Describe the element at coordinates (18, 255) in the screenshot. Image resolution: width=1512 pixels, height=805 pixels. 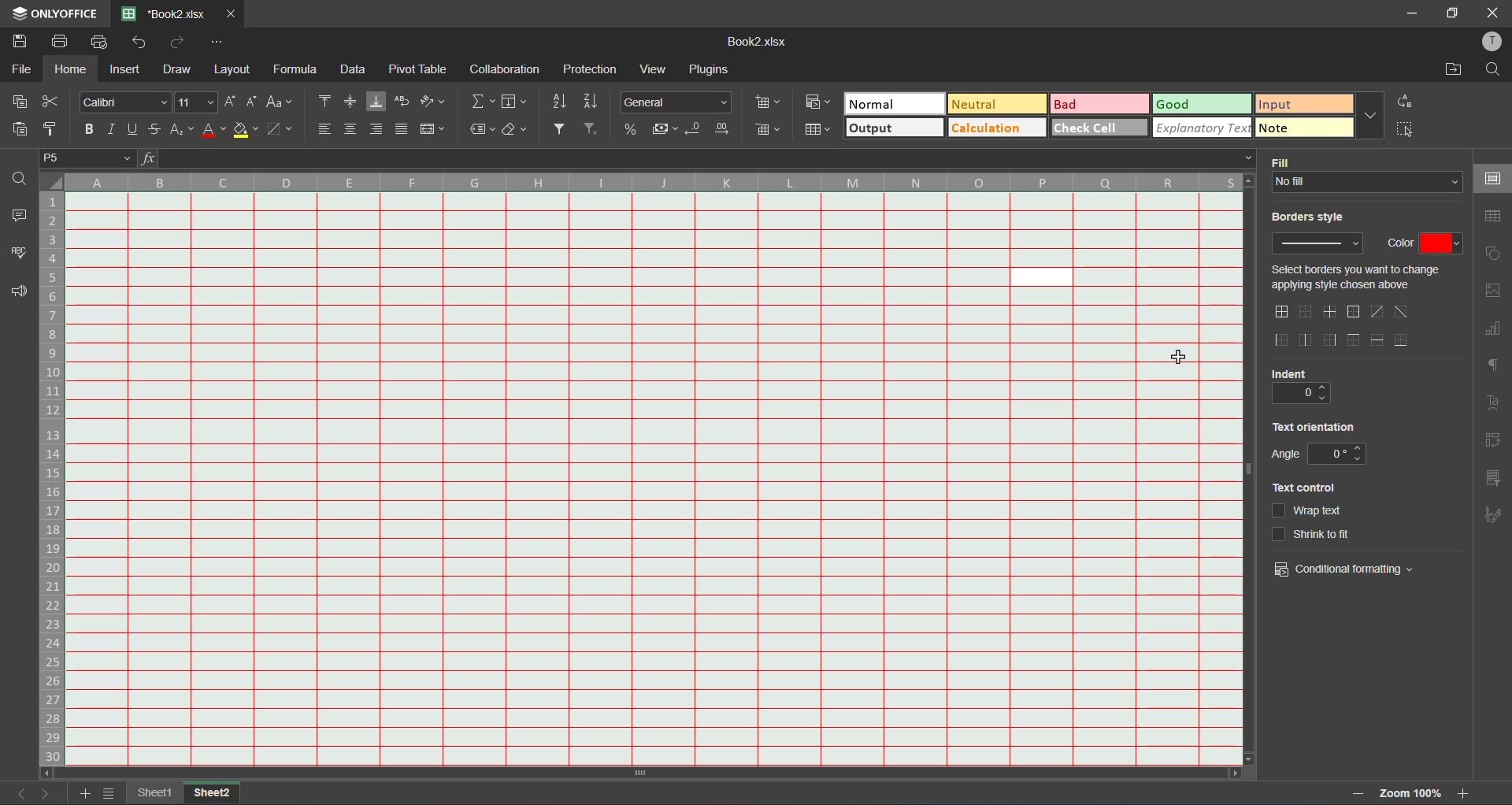
I see `spellcheck` at that location.